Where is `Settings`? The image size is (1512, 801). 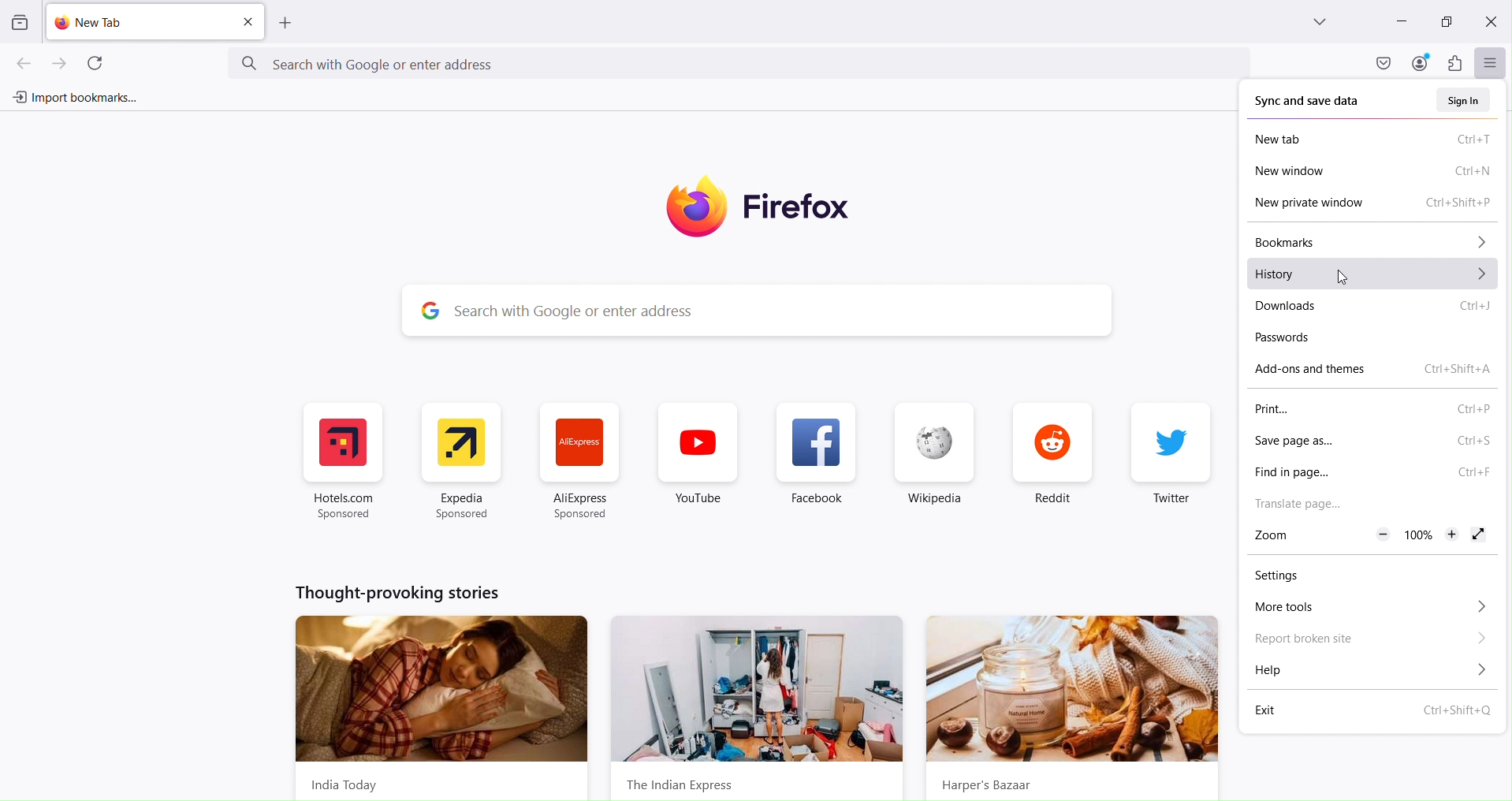
Settings is located at coordinates (1304, 576).